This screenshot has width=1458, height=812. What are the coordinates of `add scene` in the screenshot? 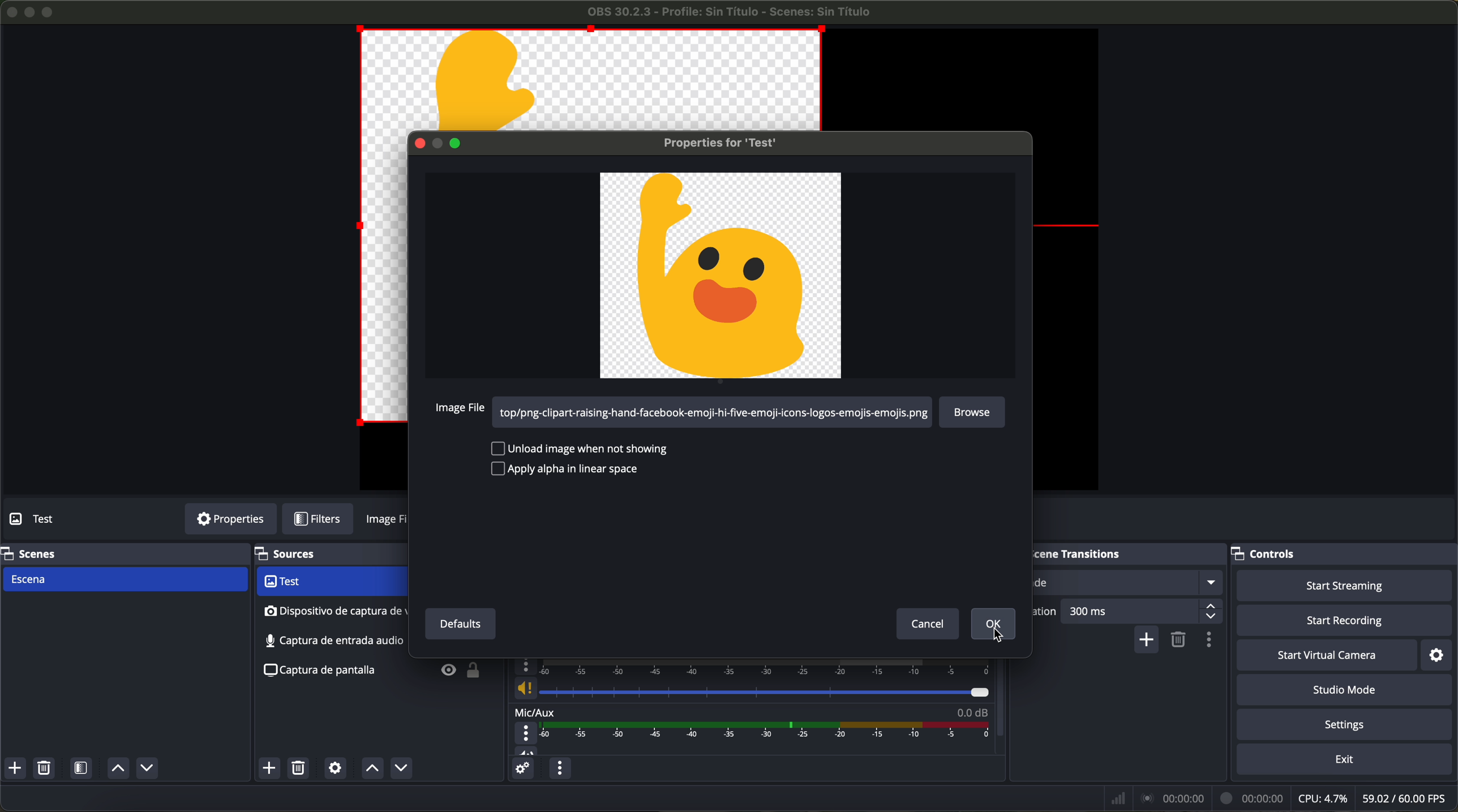 It's located at (15, 768).